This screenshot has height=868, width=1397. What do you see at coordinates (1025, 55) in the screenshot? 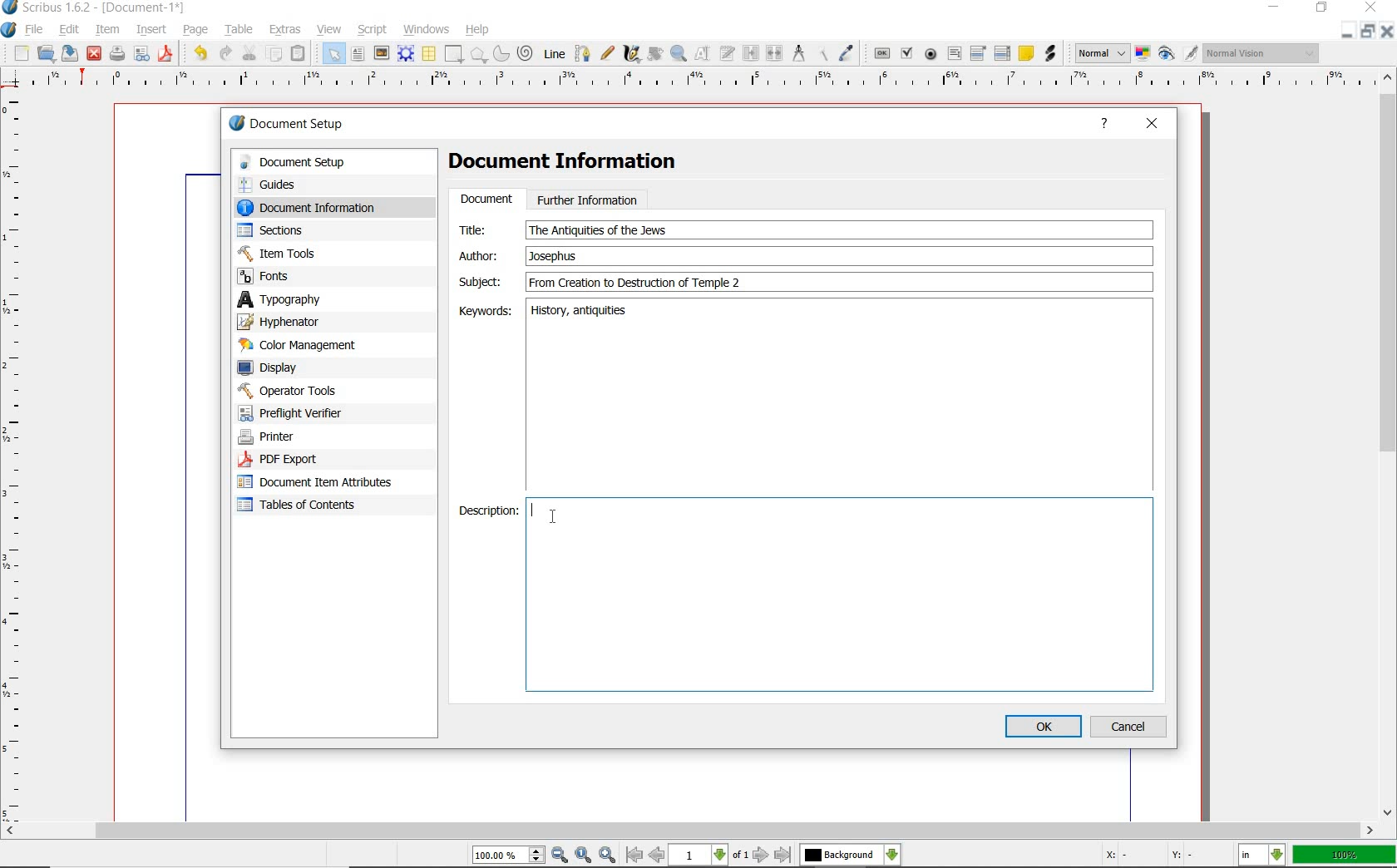
I see `text annotation` at bounding box center [1025, 55].